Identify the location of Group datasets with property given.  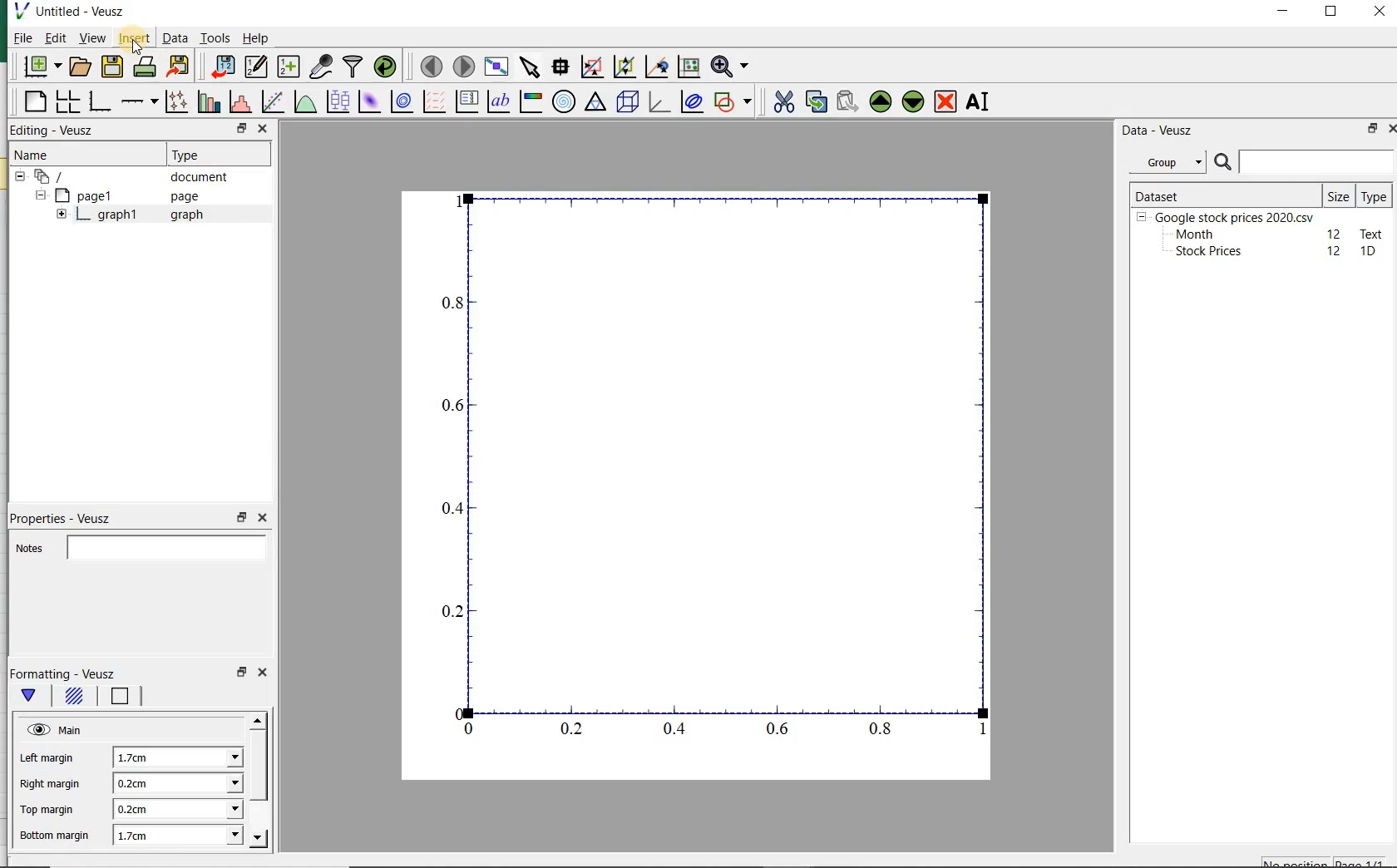
(1163, 162).